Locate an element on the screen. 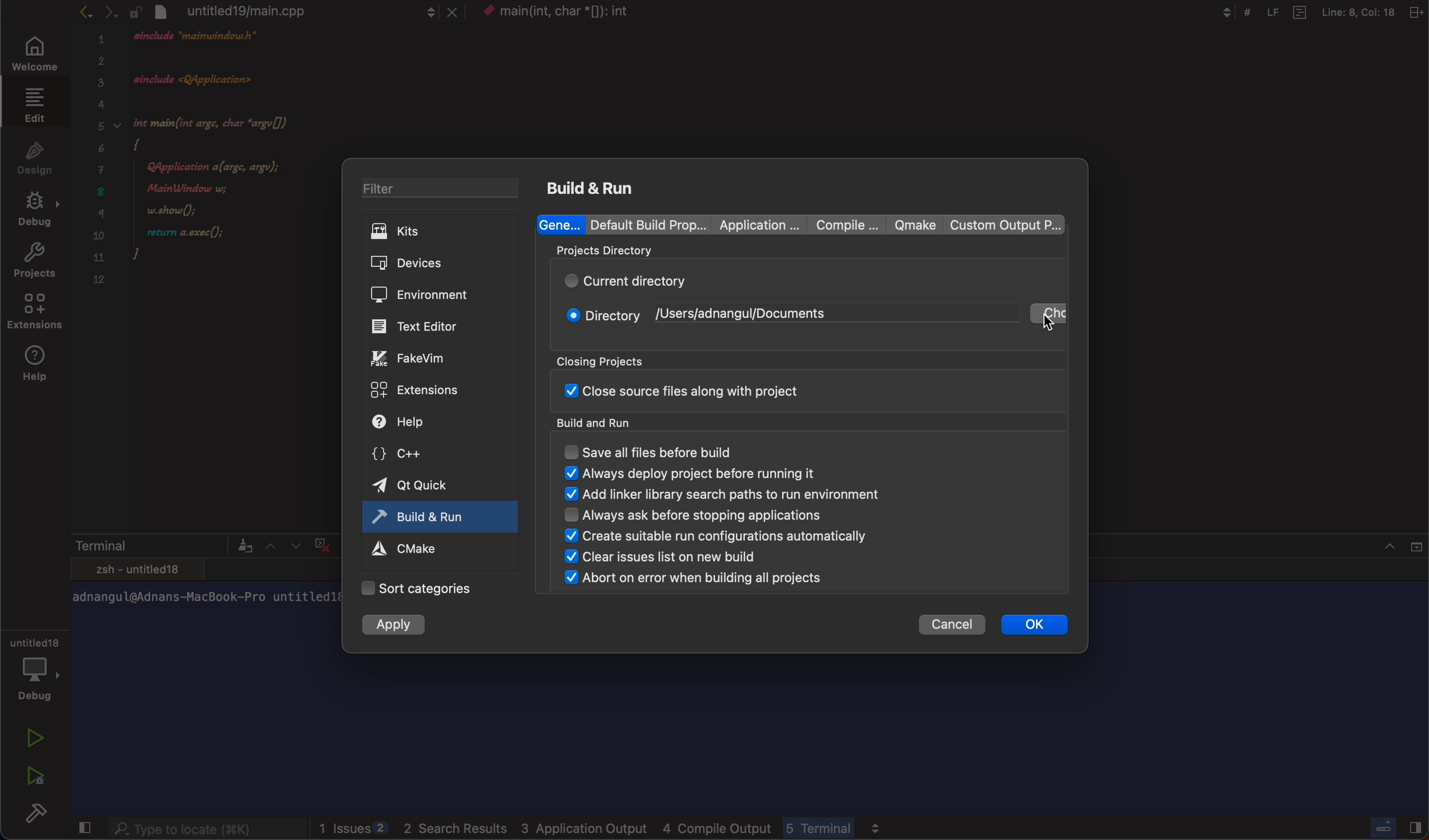  change directory is located at coordinates (818, 313).